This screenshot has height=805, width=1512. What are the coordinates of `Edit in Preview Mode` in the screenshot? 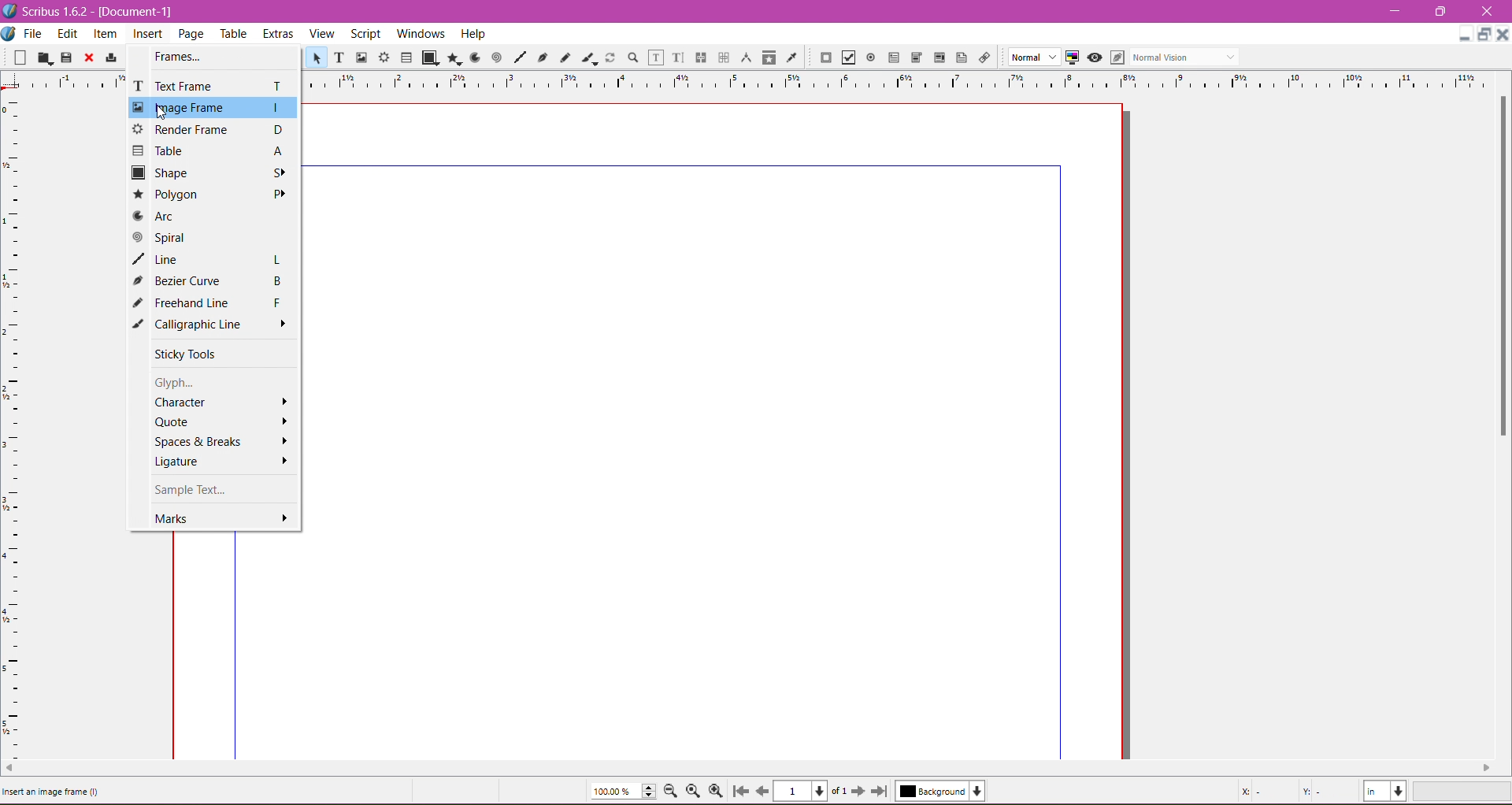 It's located at (1117, 57).